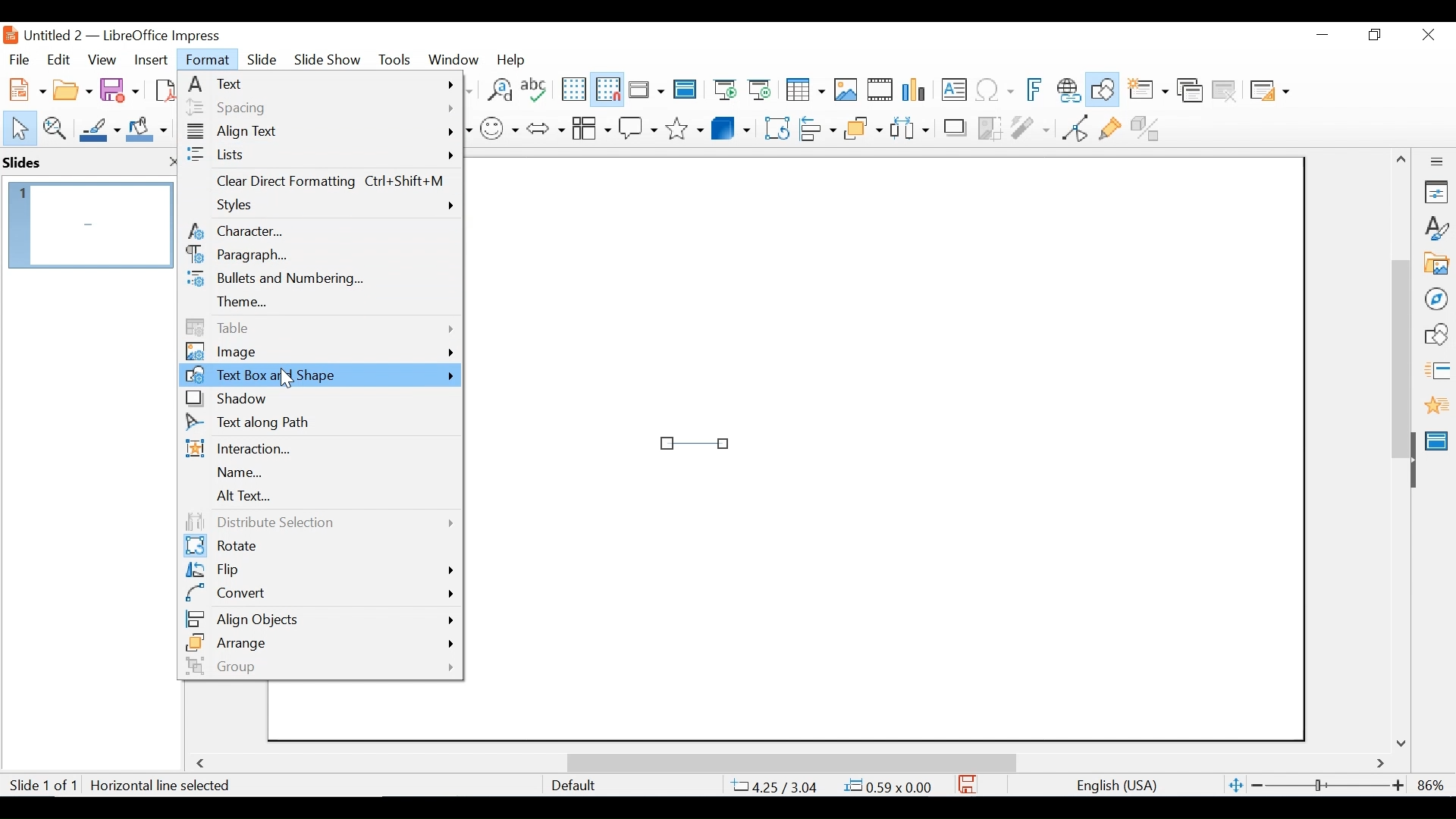 The image size is (1456, 819). What do you see at coordinates (573, 786) in the screenshot?
I see `Default` at bounding box center [573, 786].